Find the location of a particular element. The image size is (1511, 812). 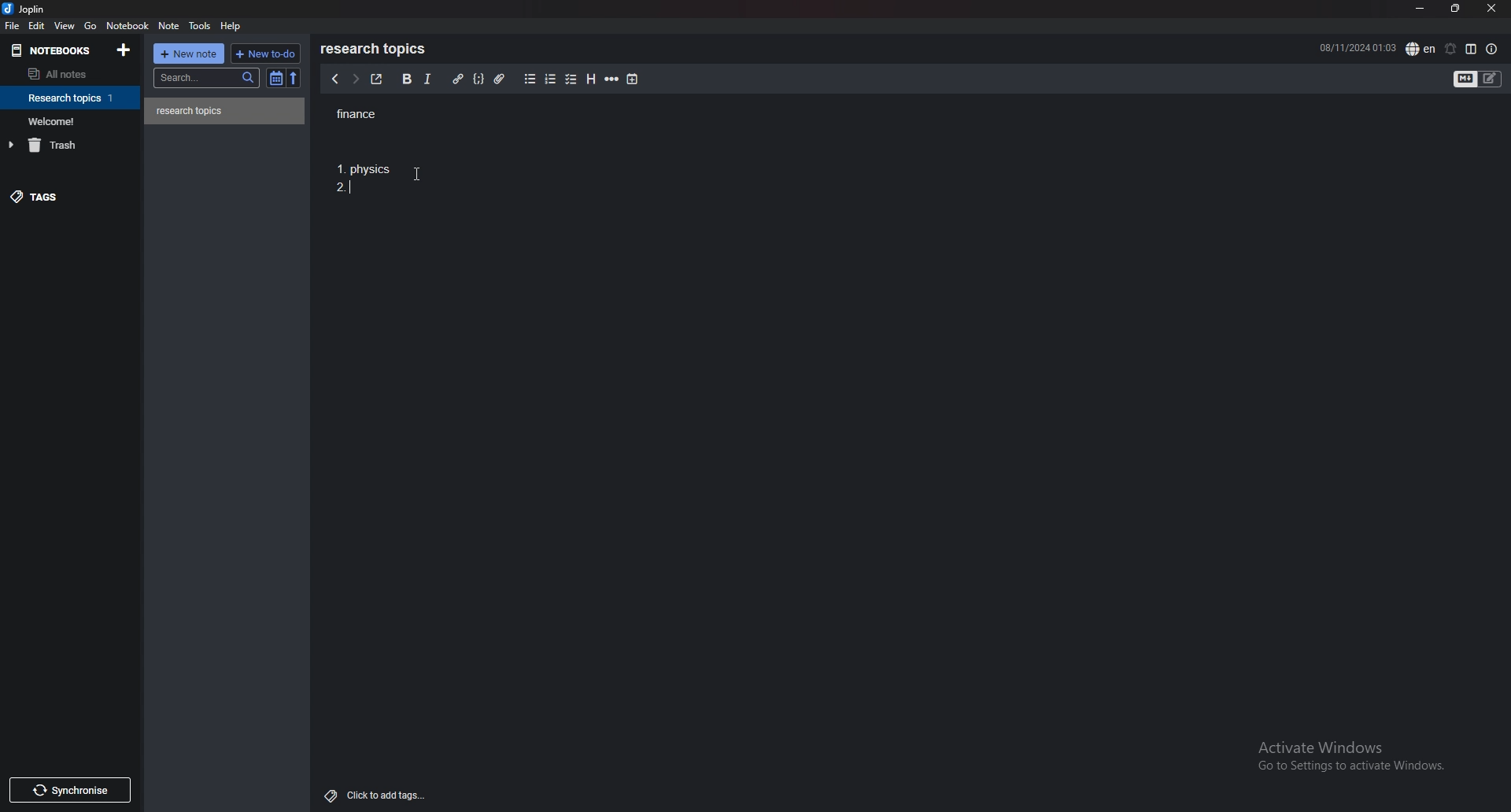

add time is located at coordinates (633, 79).